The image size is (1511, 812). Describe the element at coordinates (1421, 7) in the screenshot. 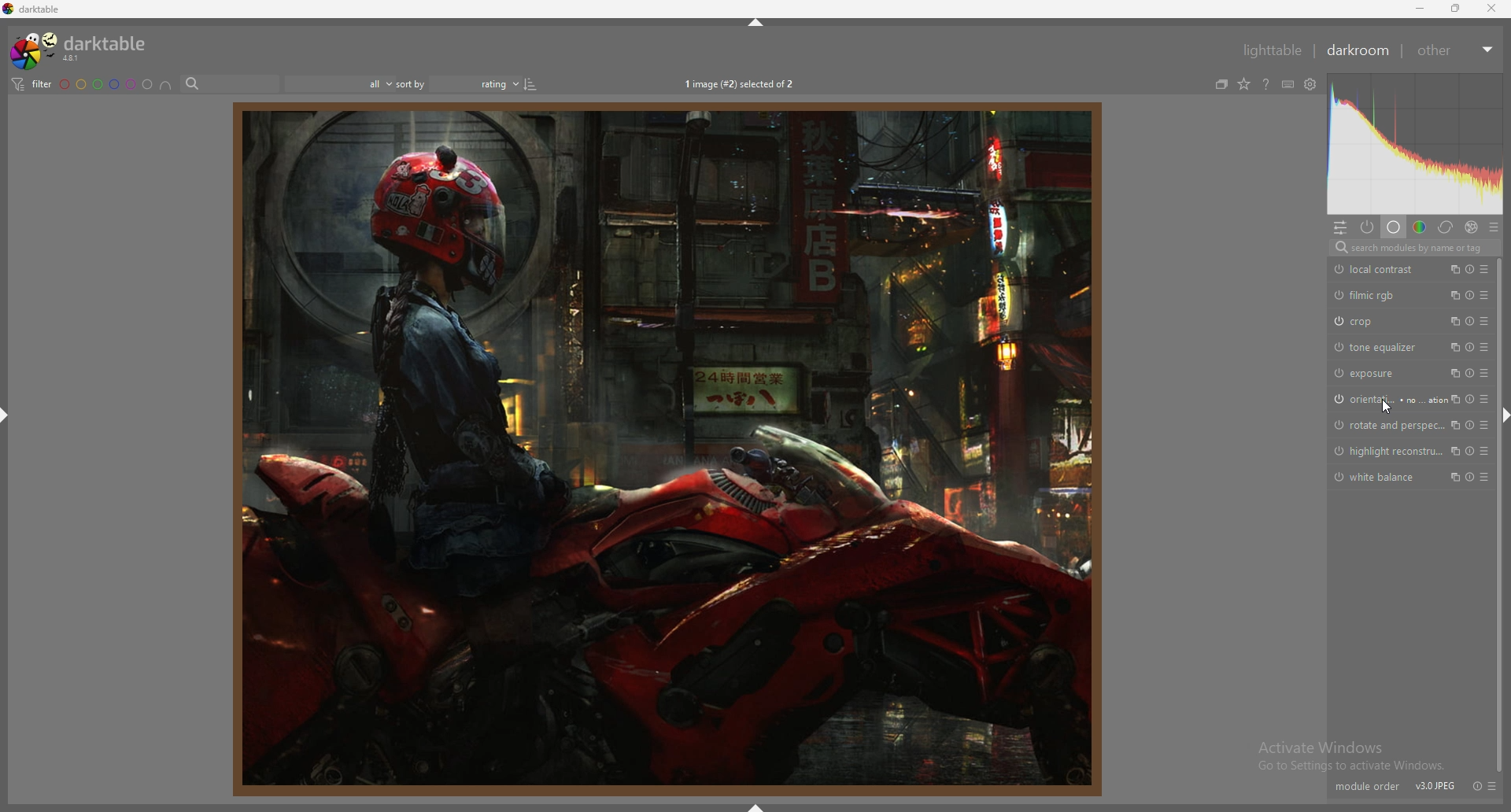

I see `minimize` at that location.